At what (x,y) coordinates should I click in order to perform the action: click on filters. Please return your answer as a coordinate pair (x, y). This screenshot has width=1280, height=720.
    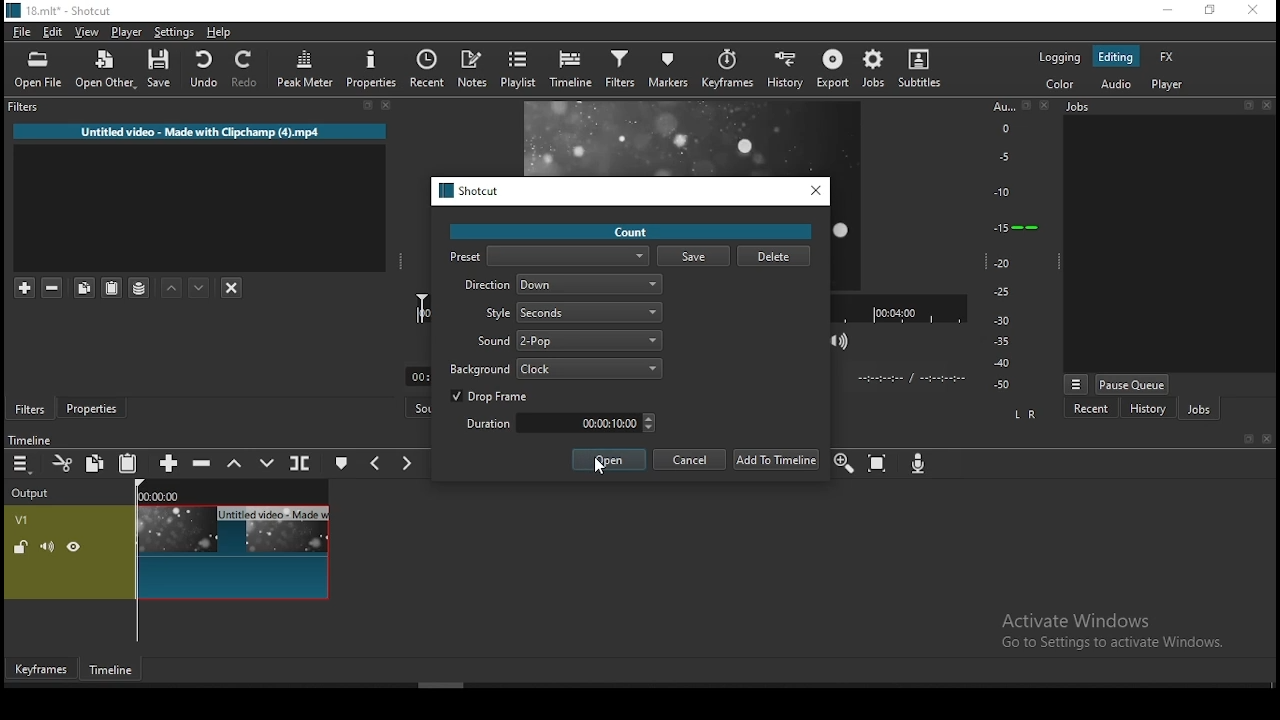
    Looking at the image, I should click on (32, 407).